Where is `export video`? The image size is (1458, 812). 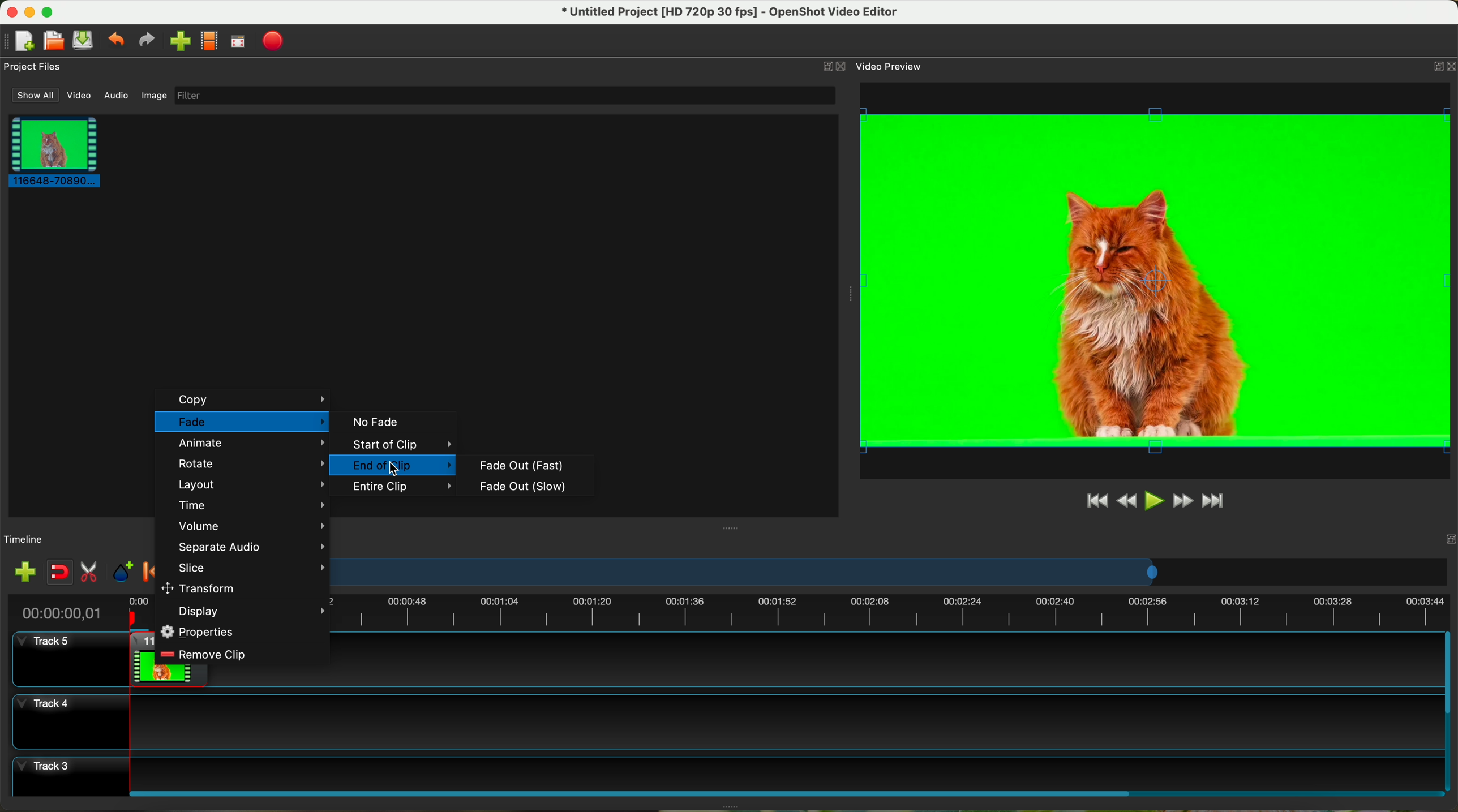
export video is located at coordinates (273, 42).